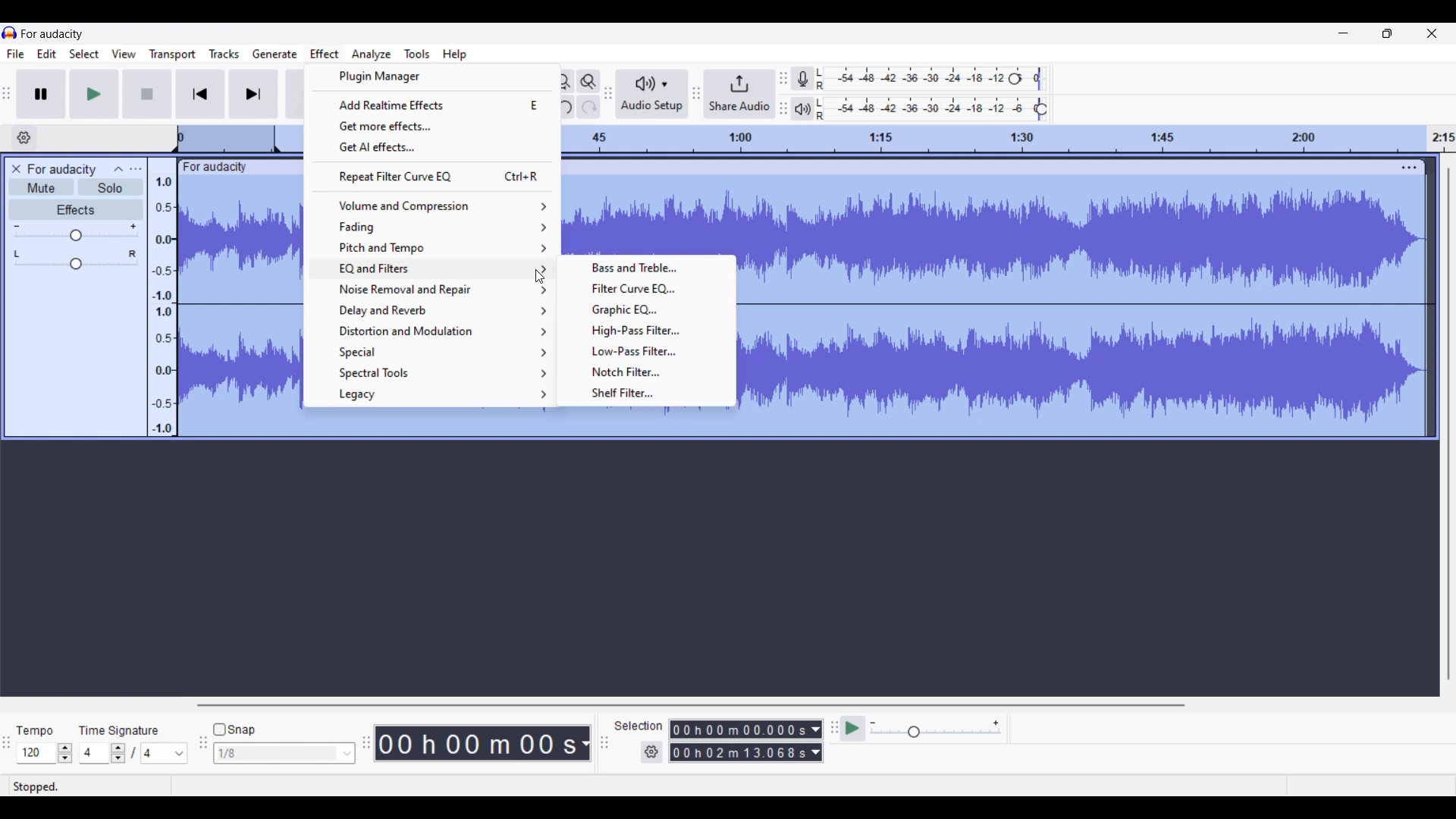 The height and width of the screenshot is (819, 1456). I want to click on Legacy options, so click(433, 395).